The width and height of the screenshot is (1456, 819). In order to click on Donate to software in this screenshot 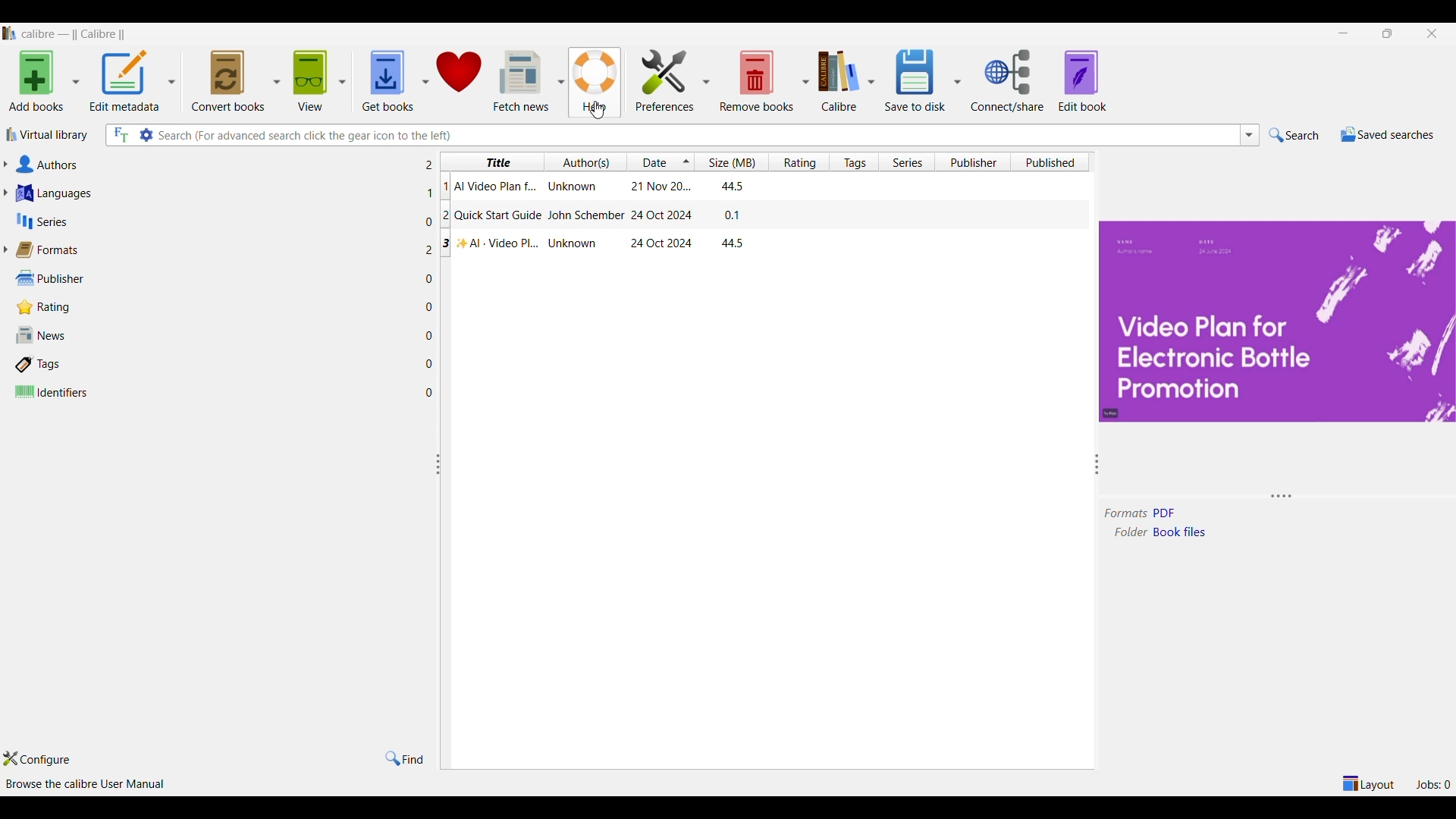, I will do `click(460, 80)`.